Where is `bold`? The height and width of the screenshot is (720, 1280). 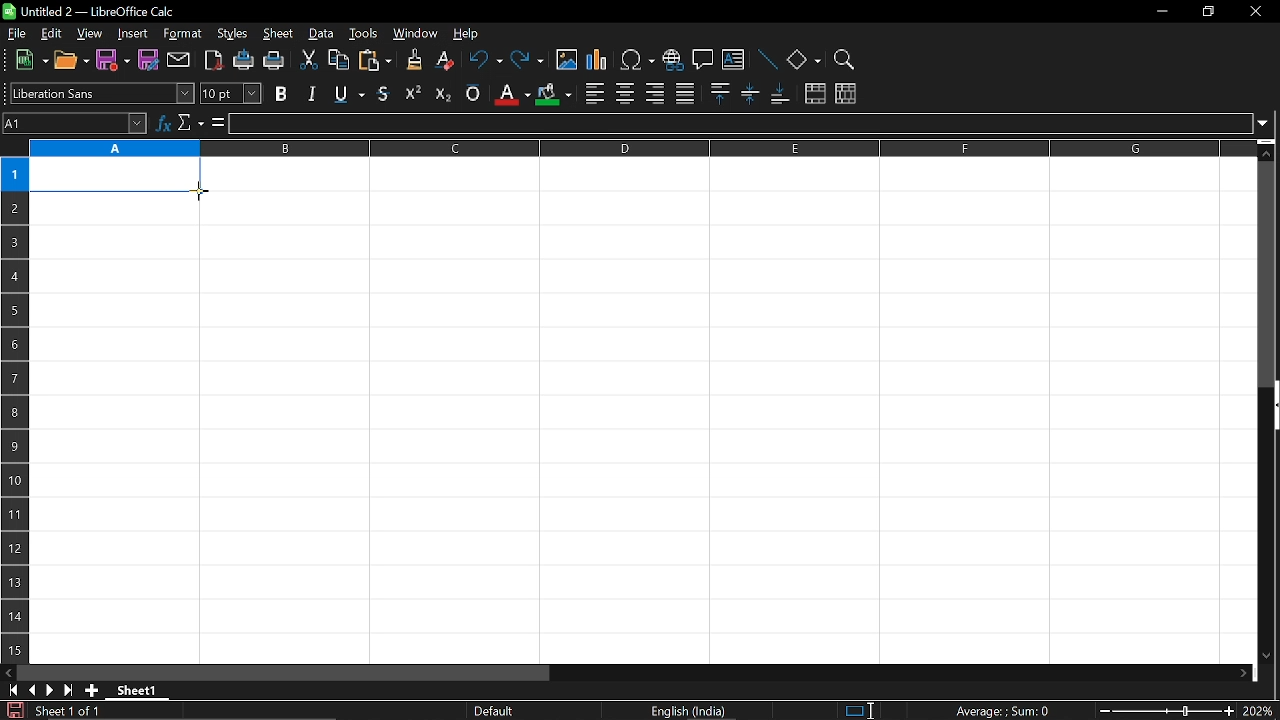 bold is located at coordinates (281, 94).